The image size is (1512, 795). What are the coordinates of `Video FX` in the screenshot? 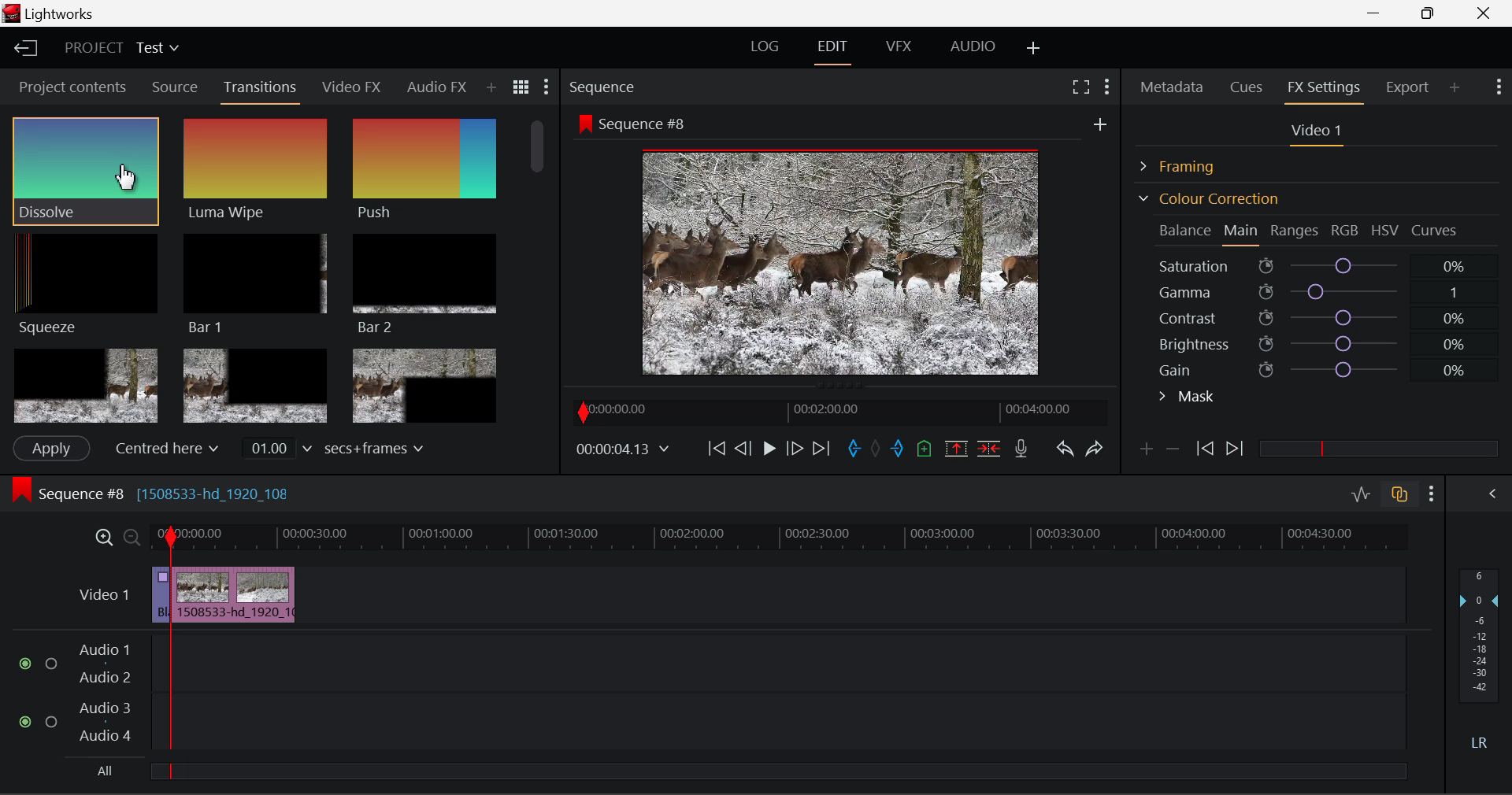 It's located at (346, 87).